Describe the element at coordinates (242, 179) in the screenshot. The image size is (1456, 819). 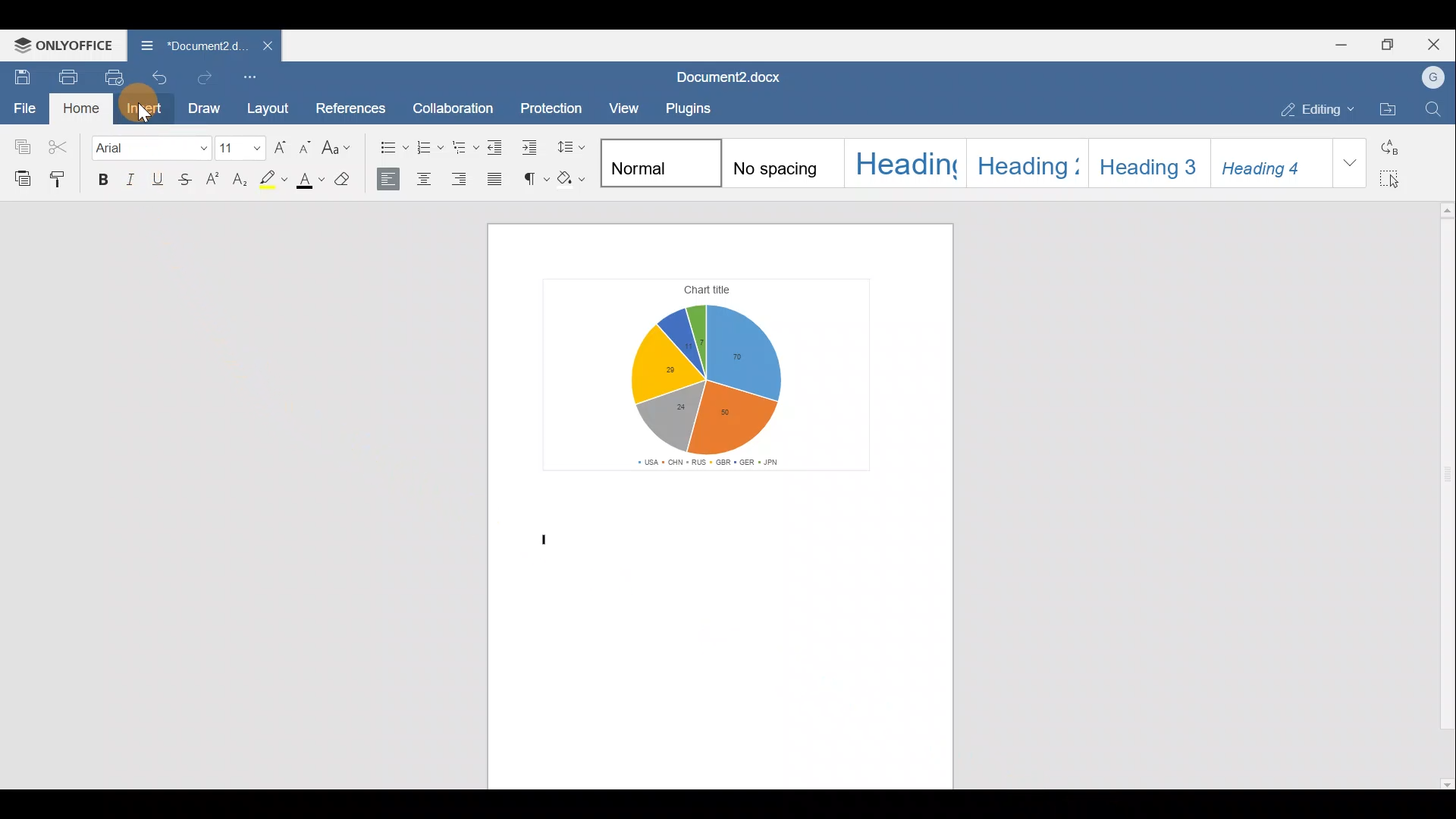
I see `Subscript` at that location.